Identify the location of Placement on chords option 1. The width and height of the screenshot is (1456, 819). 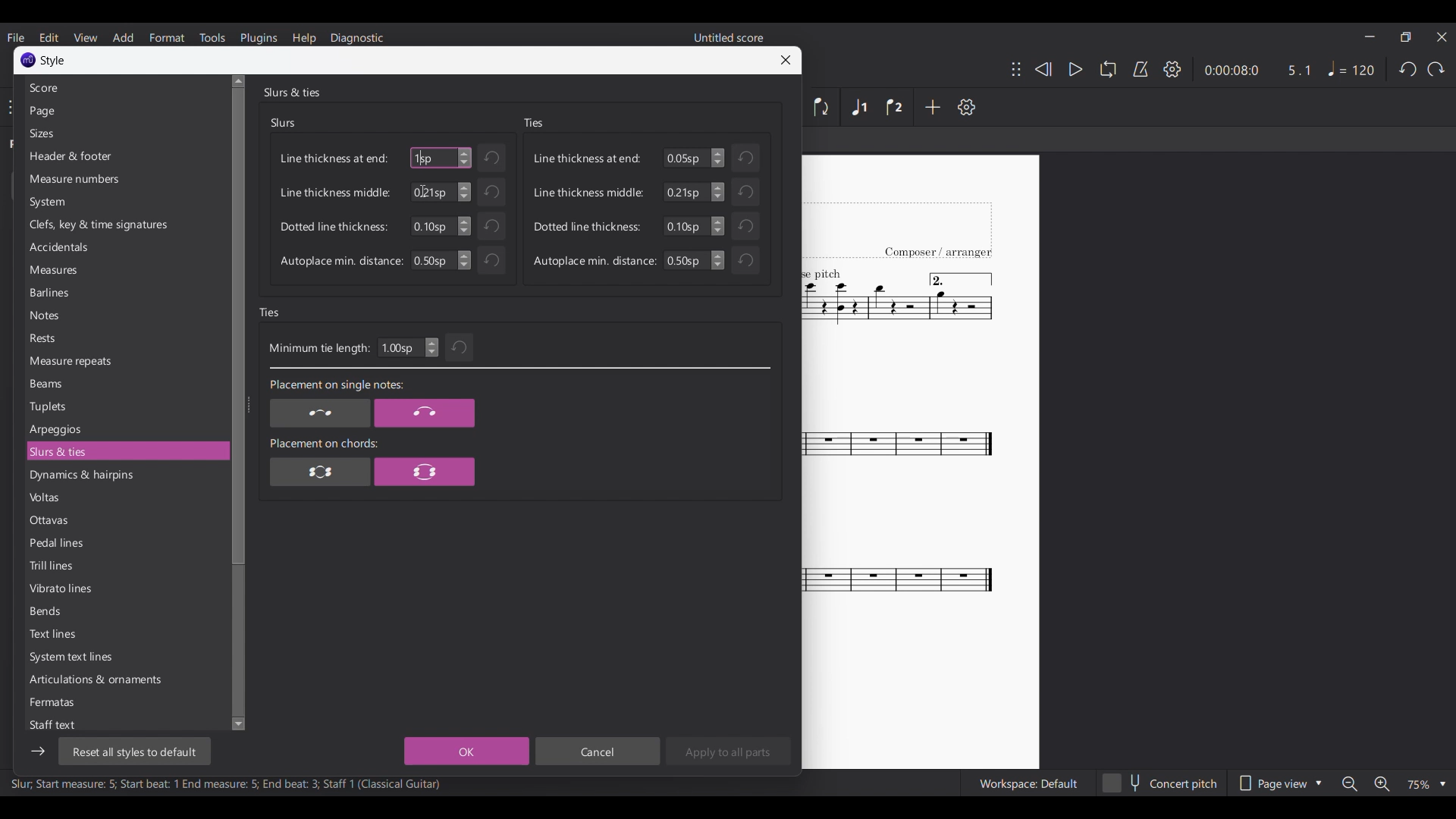
(321, 471).